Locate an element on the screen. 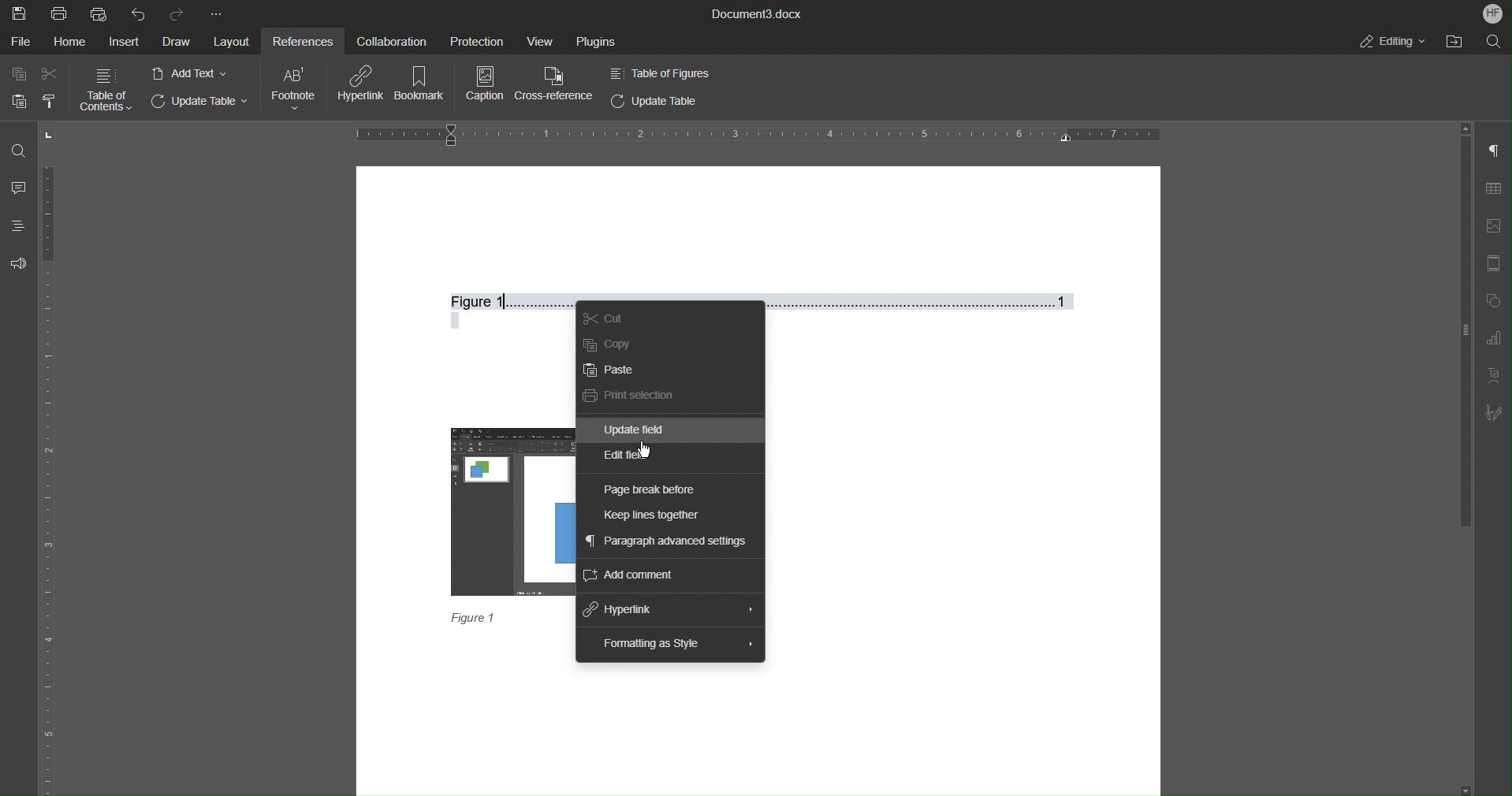 The image size is (1512, 796). Add Text is located at coordinates (191, 73).